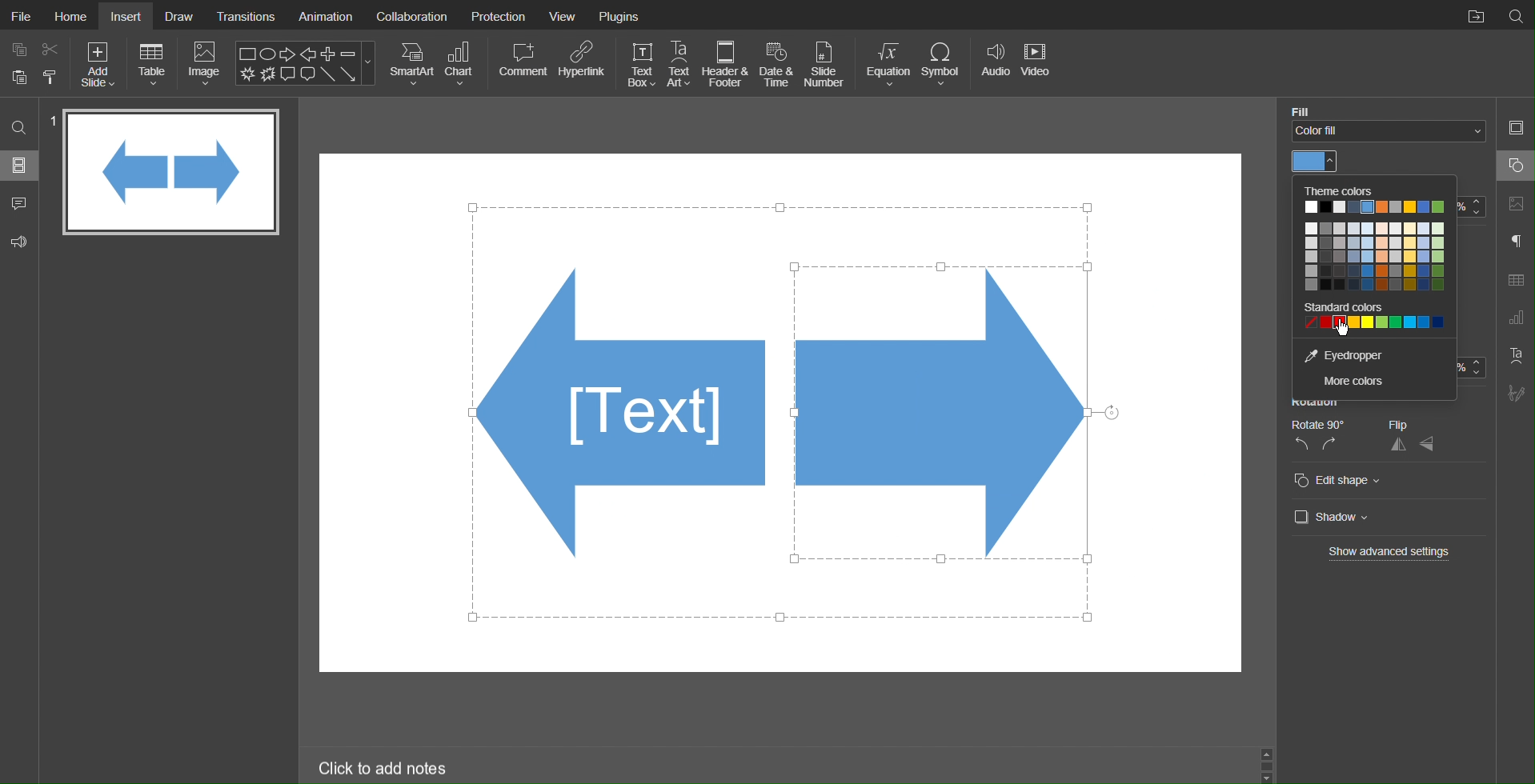 This screenshot has width=1535, height=784. Describe the element at coordinates (948, 425) in the screenshot. I see `Selected Arrow` at that location.